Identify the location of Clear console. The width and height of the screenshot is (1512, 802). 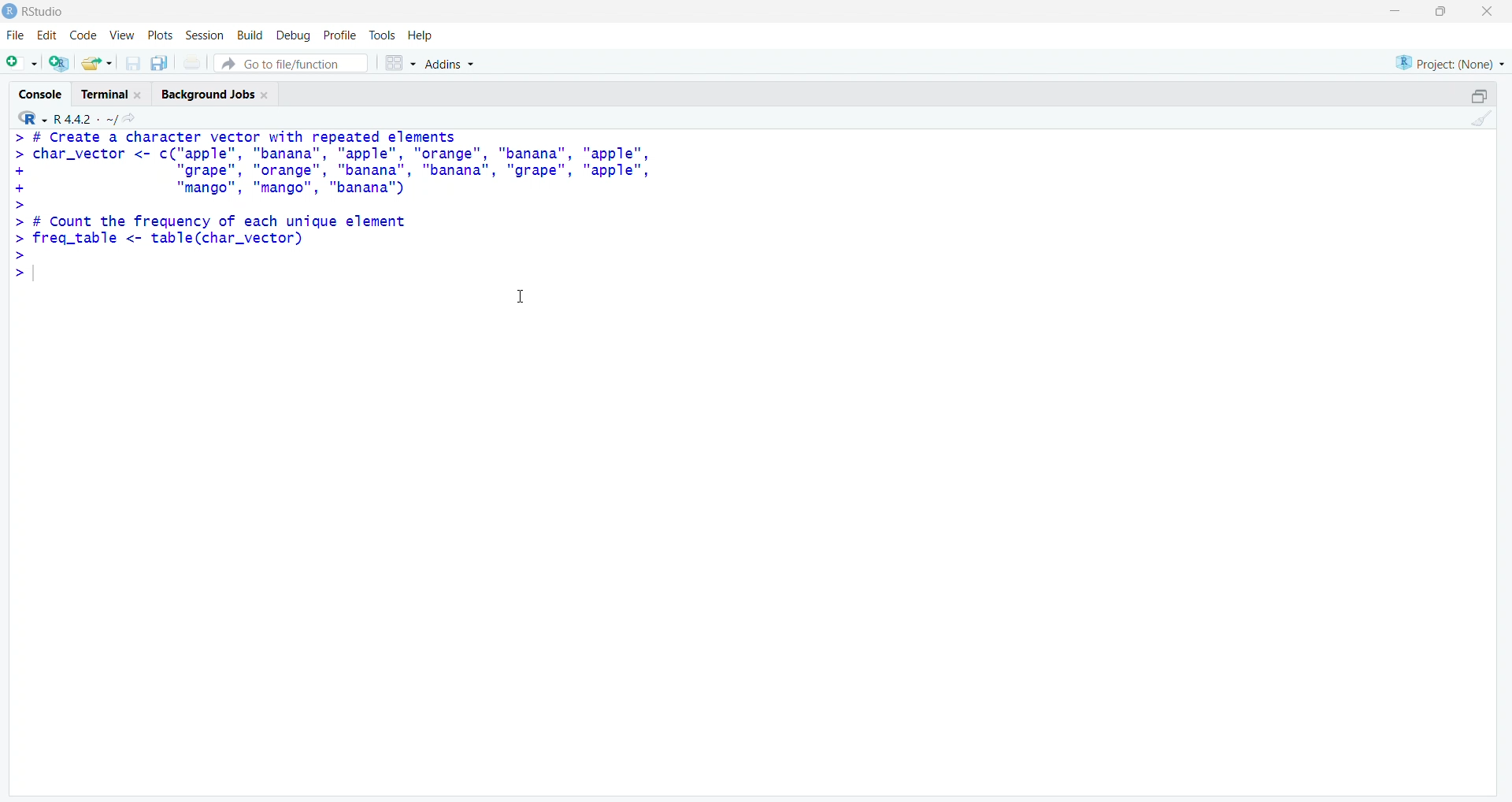
(1480, 120).